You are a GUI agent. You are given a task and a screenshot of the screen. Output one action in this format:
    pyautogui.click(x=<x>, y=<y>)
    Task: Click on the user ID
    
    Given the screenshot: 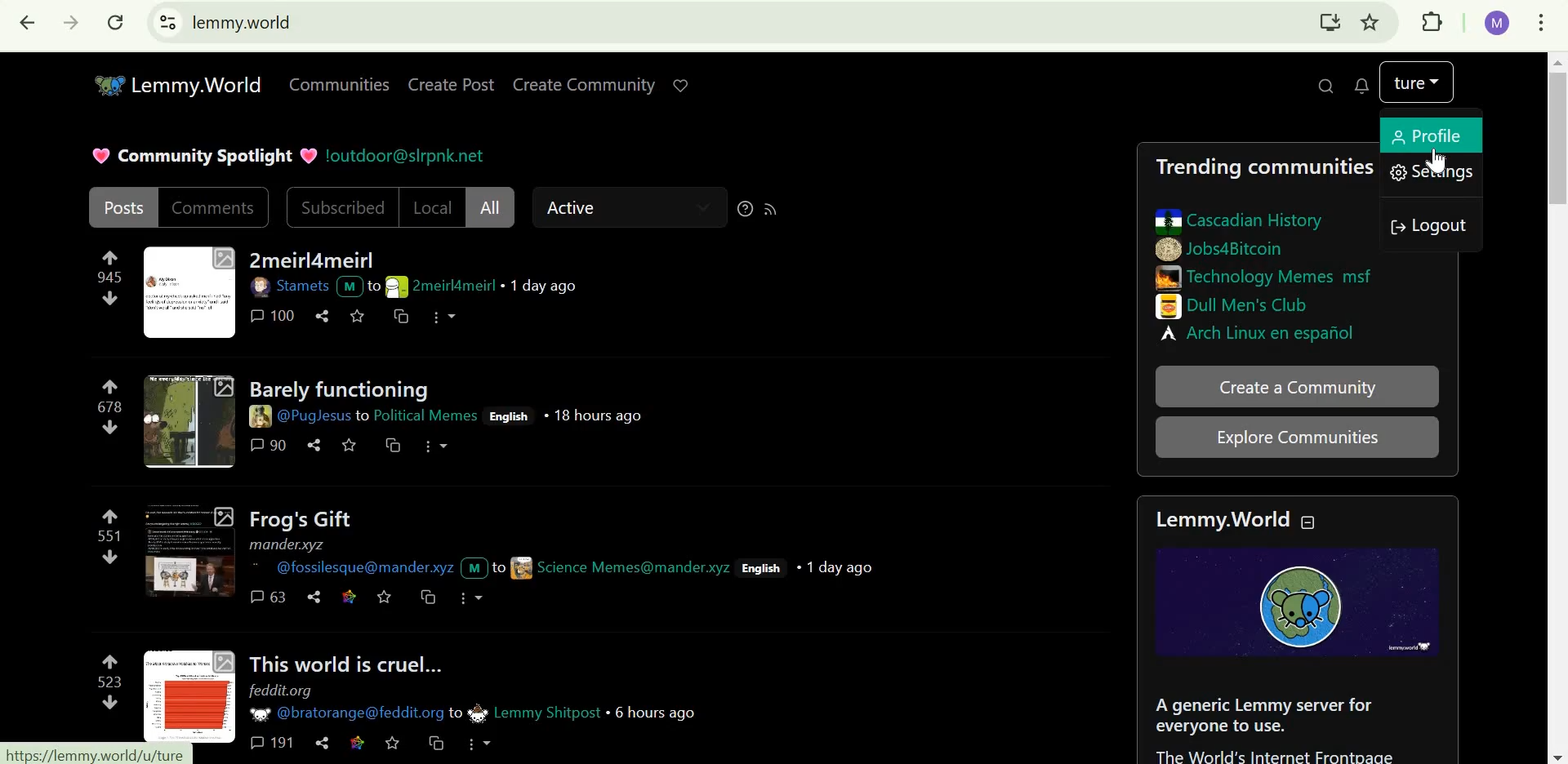 What is the action you would take?
    pyautogui.click(x=432, y=286)
    